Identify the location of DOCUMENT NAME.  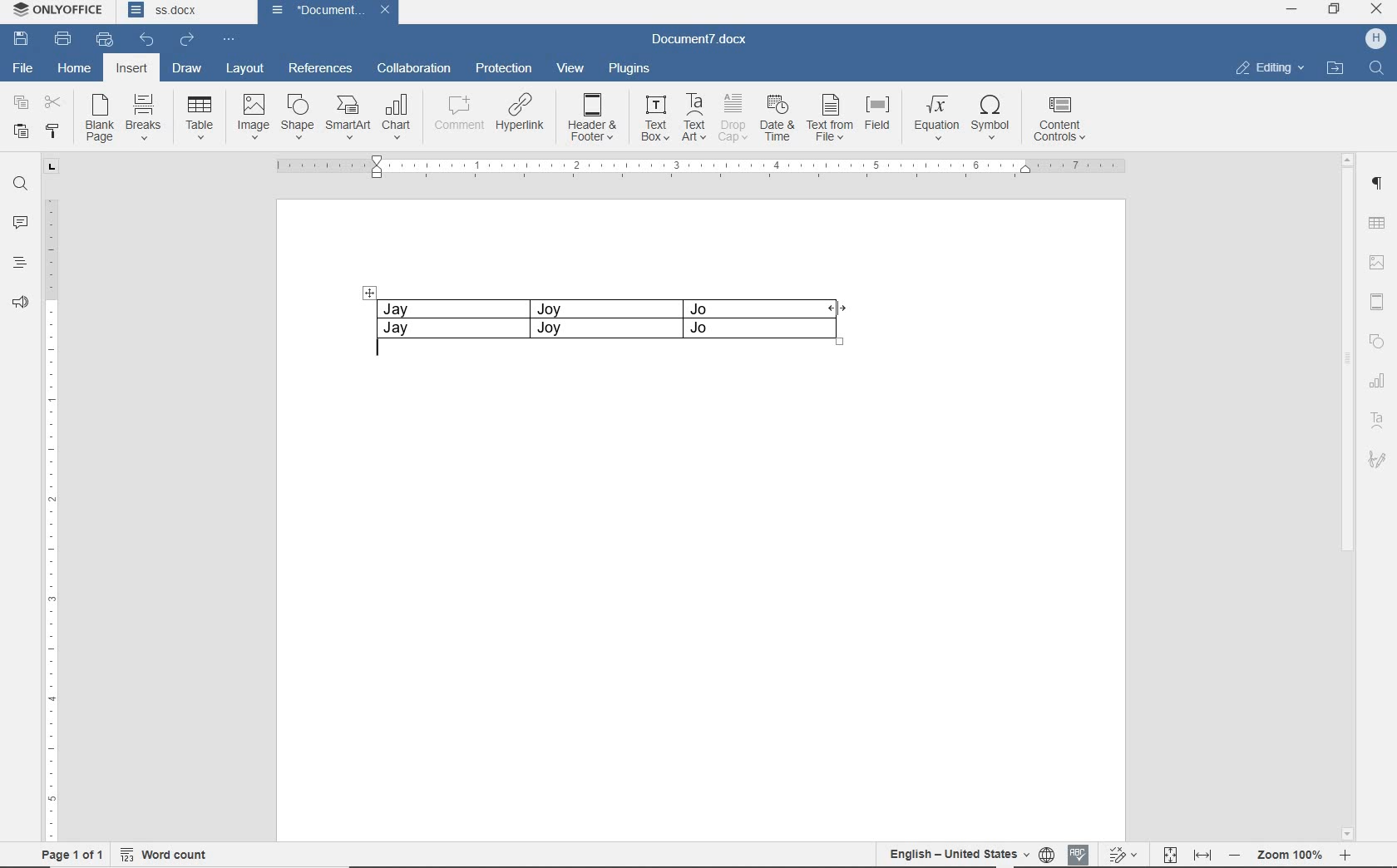
(703, 42).